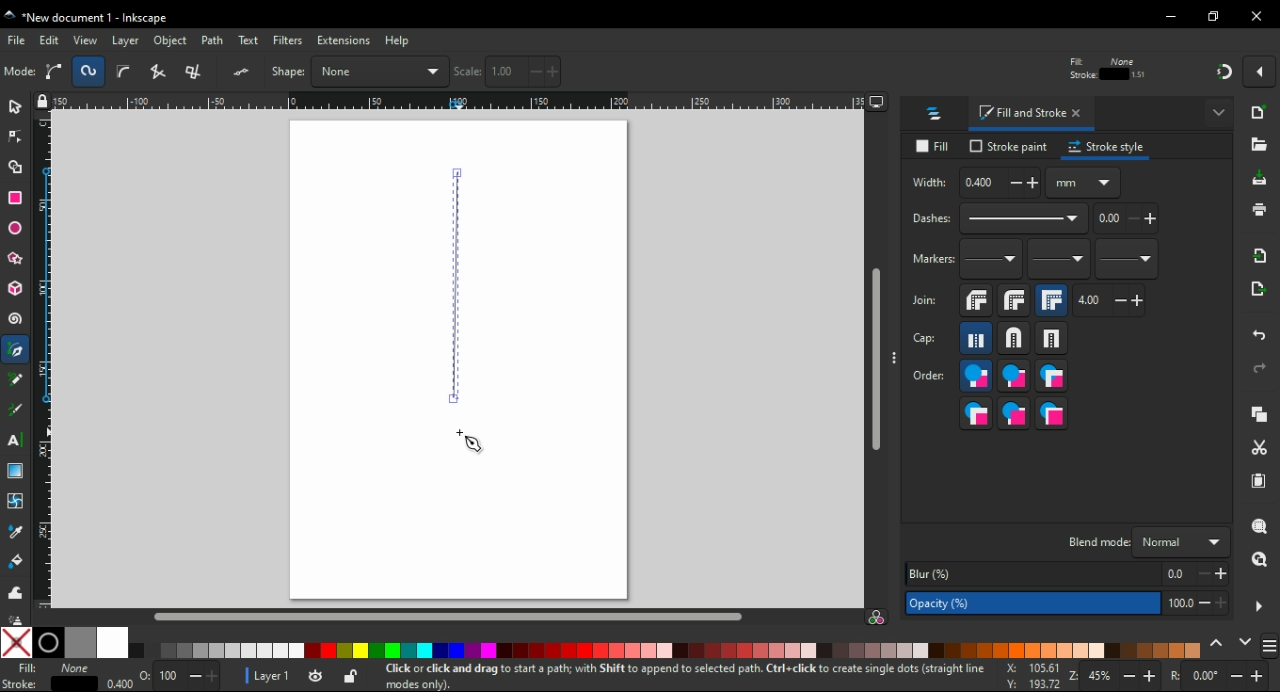 The image size is (1280, 692). What do you see at coordinates (1142, 72) in the screenshot?
I see `move gradients along with other objects` at bounding box center [1142, 72].